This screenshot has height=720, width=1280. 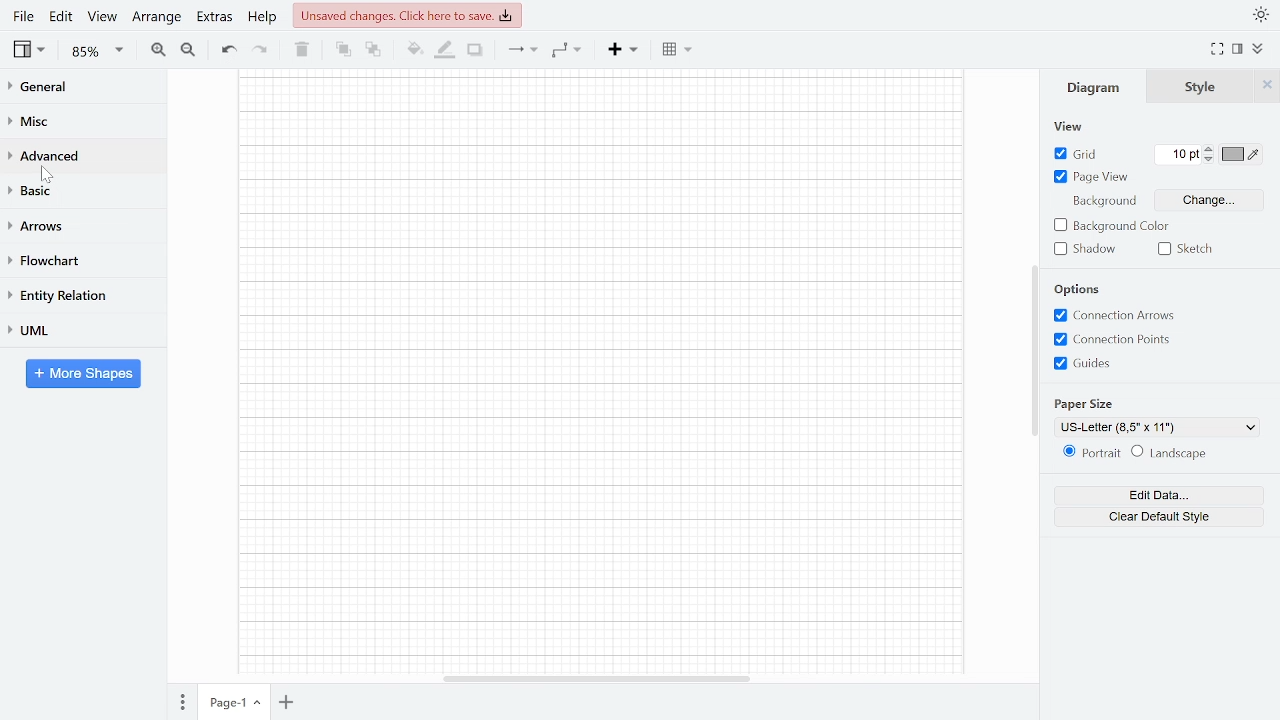 What do you see at coordinates (1185, 250) in the screenshot?
I see `Sketch` at bounding box center [1185, 250].